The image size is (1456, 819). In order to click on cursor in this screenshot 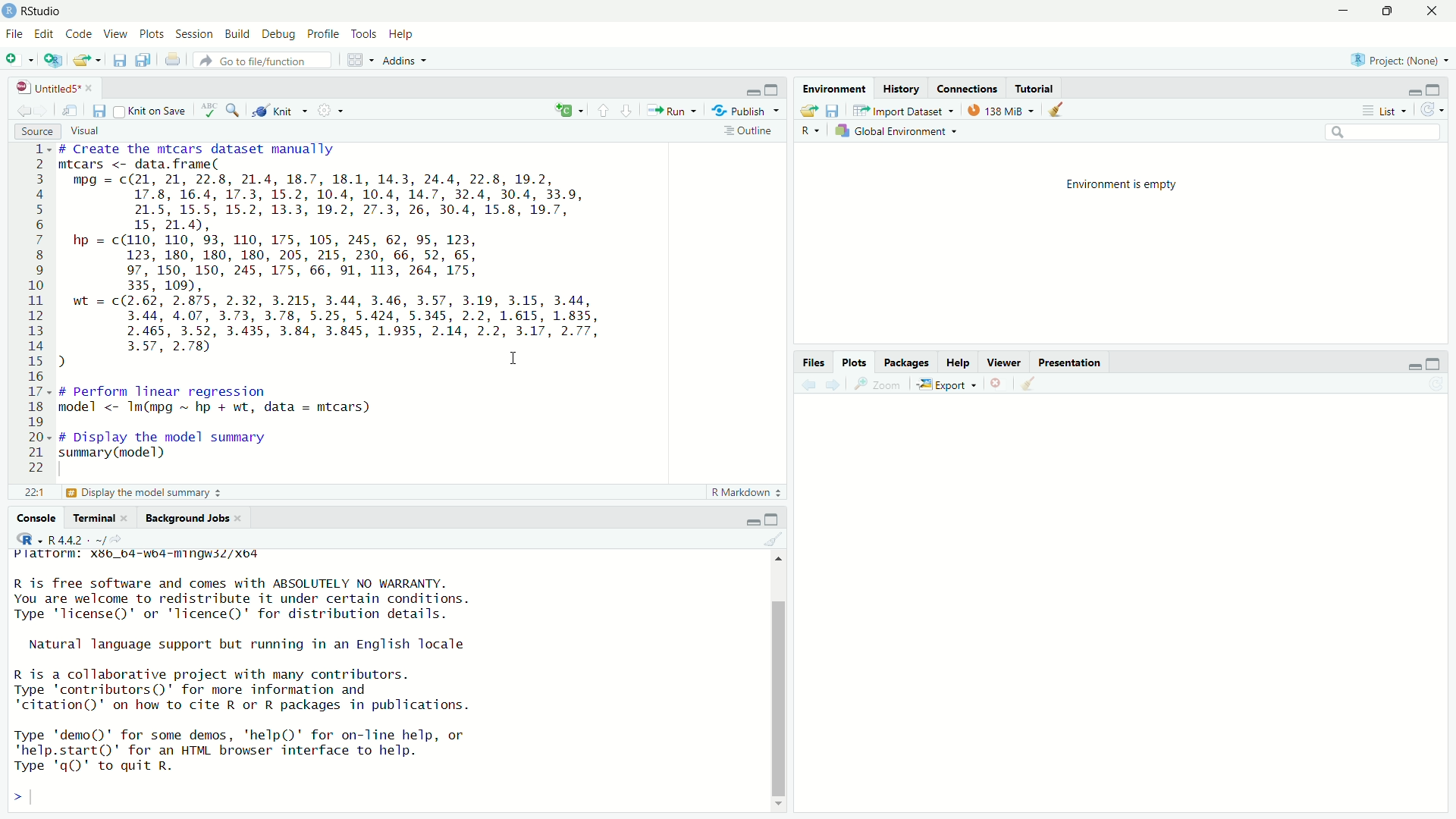, I will do `click(516, 359)`.